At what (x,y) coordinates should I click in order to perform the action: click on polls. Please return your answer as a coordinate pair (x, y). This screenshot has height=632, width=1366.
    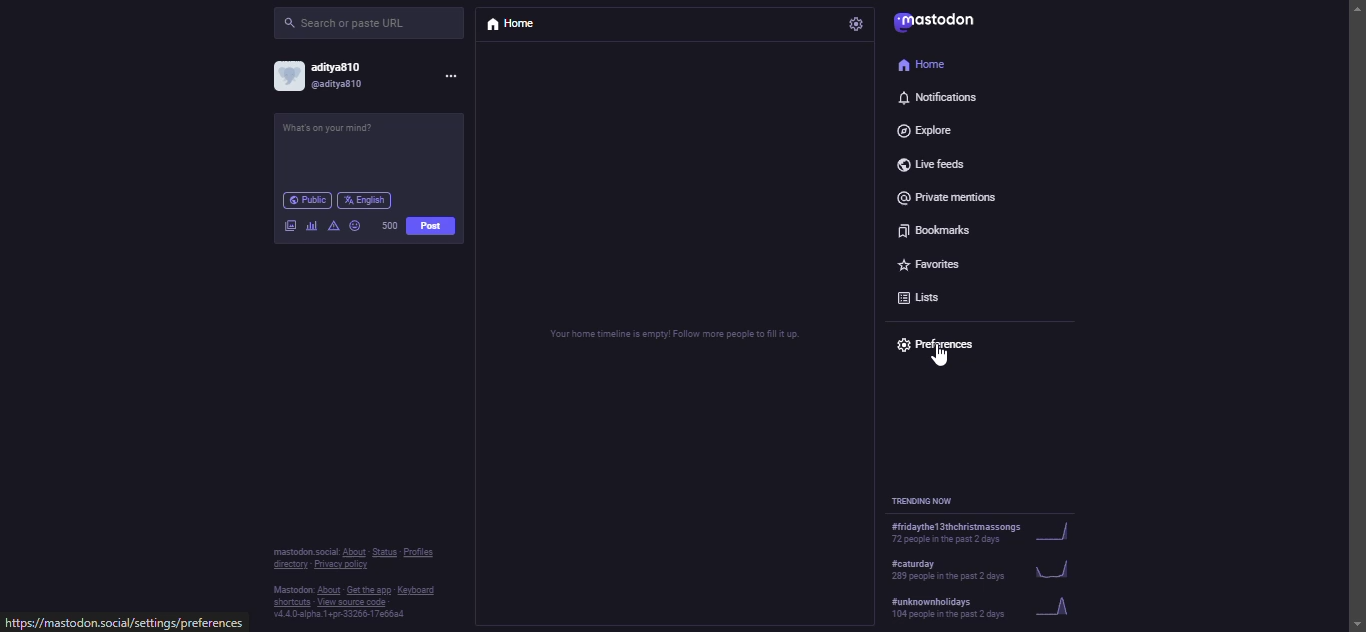
    Looking at the image, I should click on (310, 225).